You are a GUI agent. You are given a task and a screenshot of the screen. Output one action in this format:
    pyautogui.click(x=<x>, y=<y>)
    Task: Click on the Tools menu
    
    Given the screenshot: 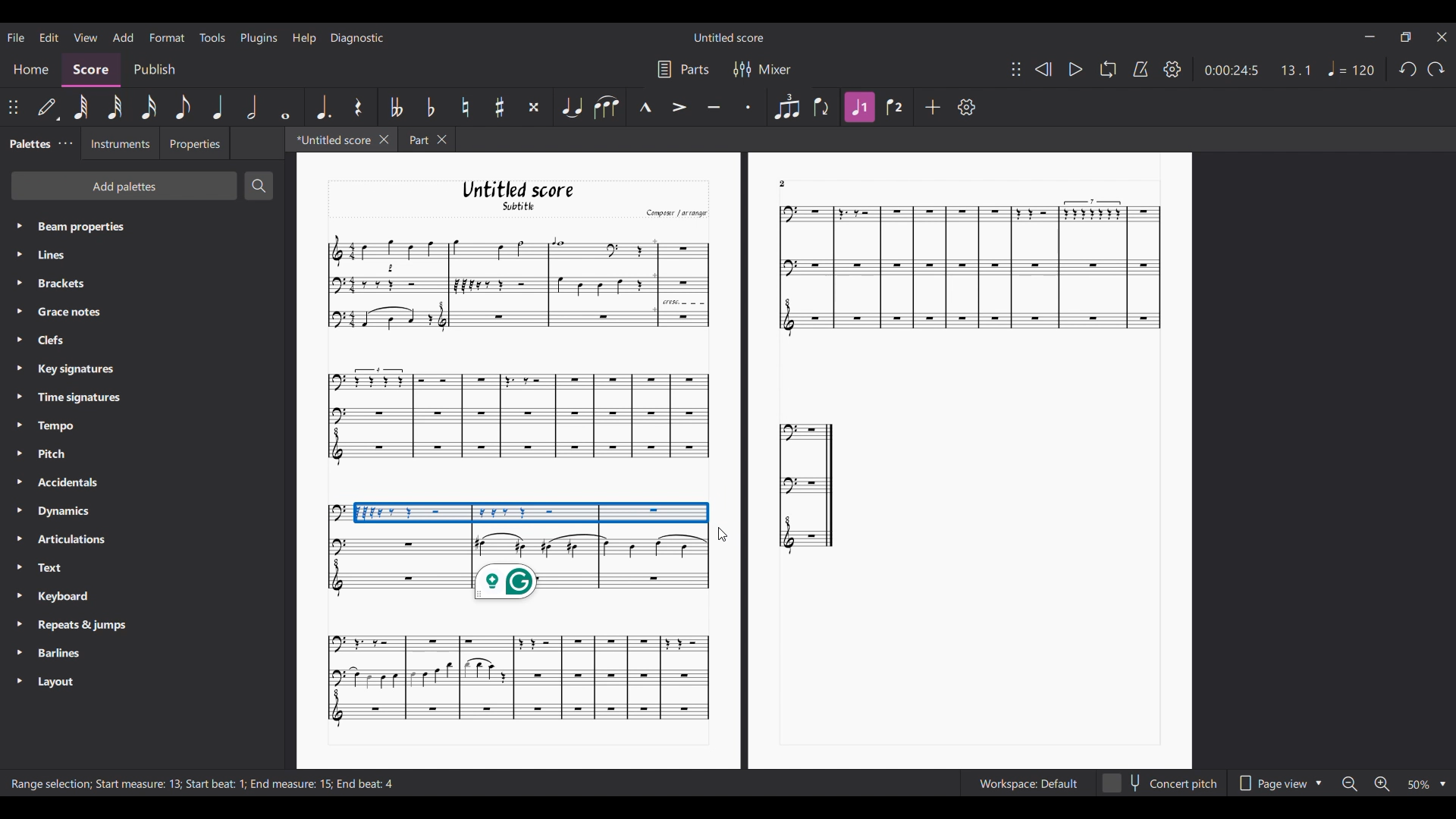 What is the action you would take?
    pyautogui.click(x=212, y=37)
    